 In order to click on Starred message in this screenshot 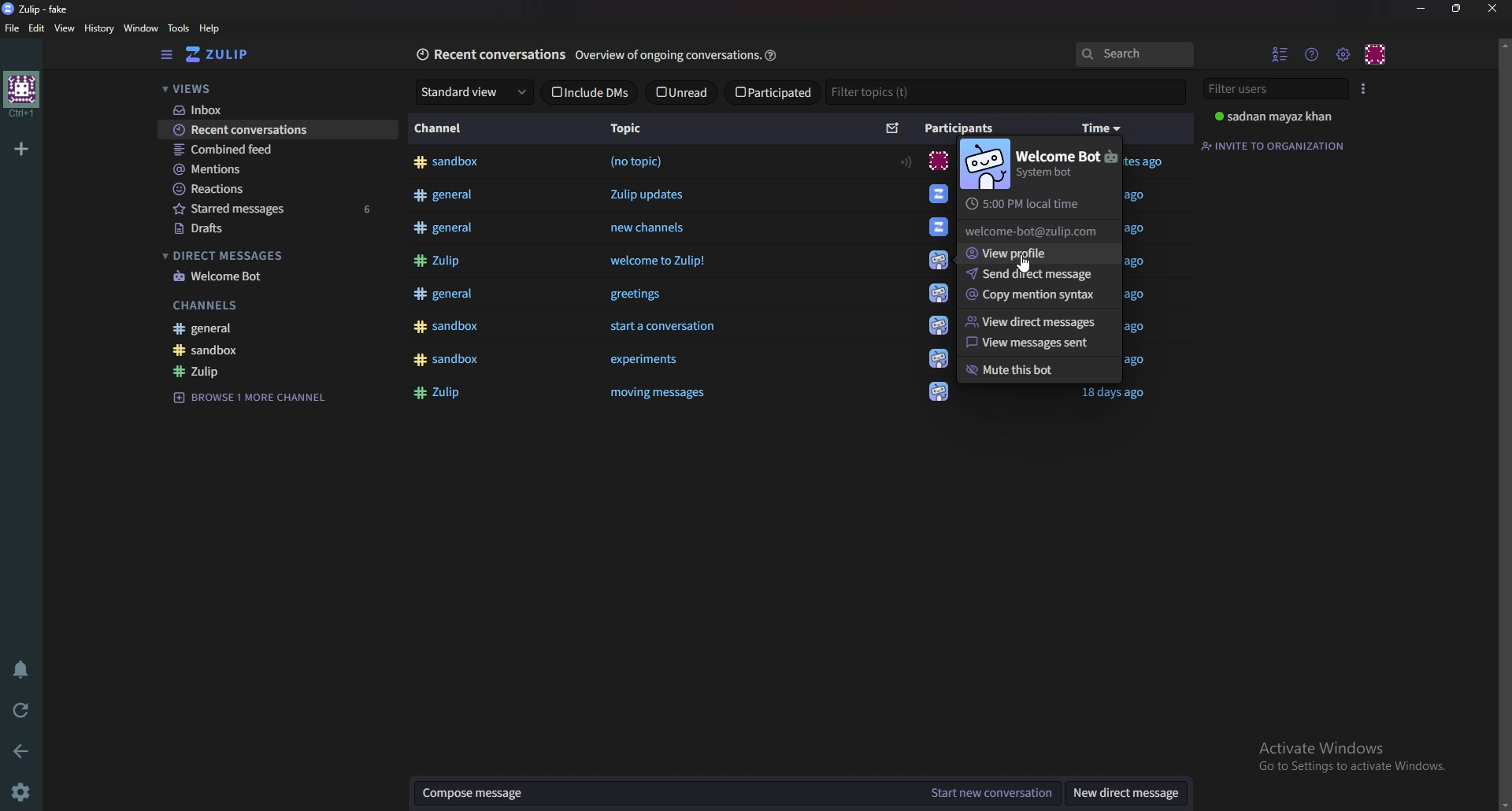, I will do `click(277, 210)`.